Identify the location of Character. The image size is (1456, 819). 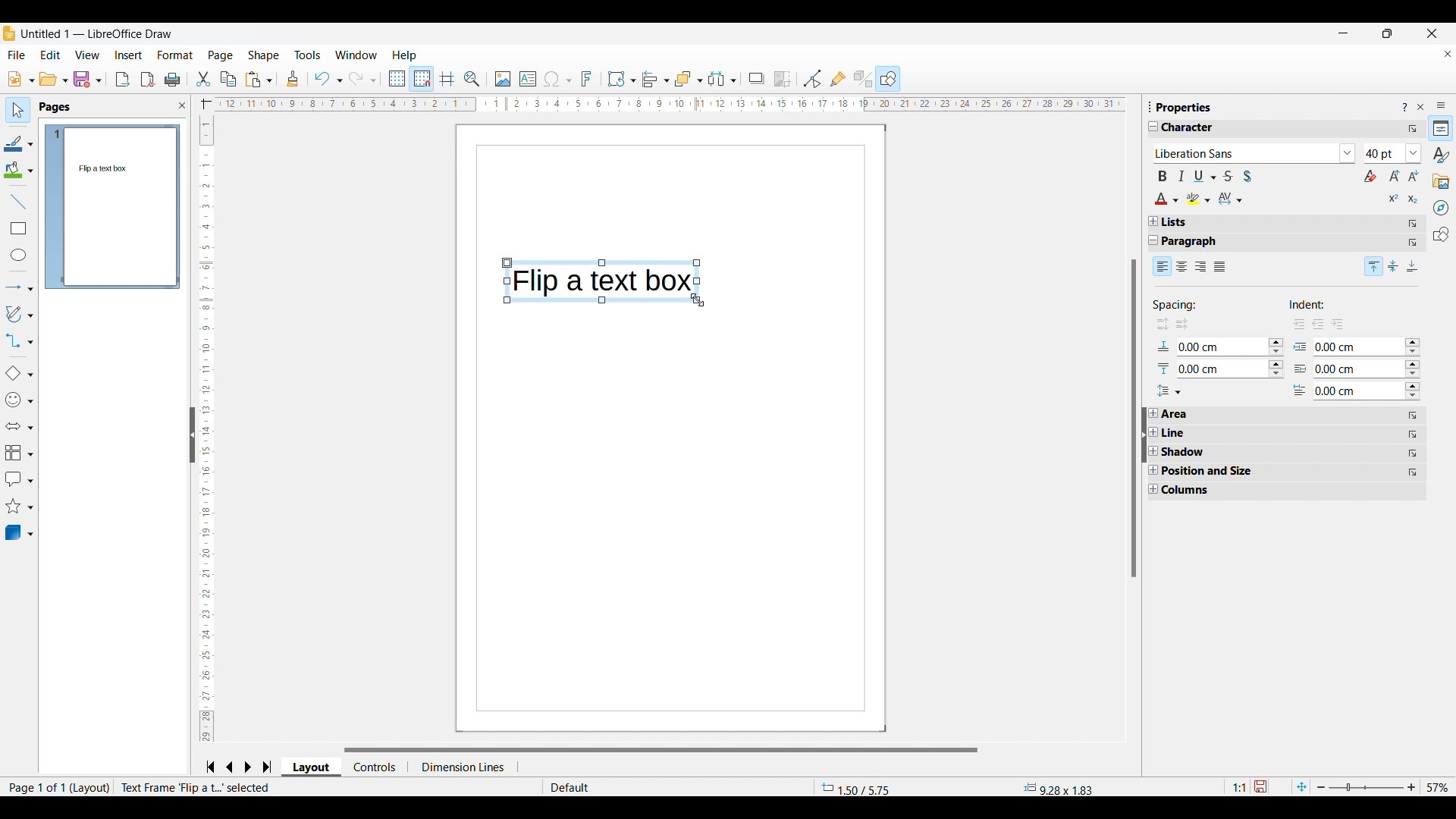
(1194, 128).